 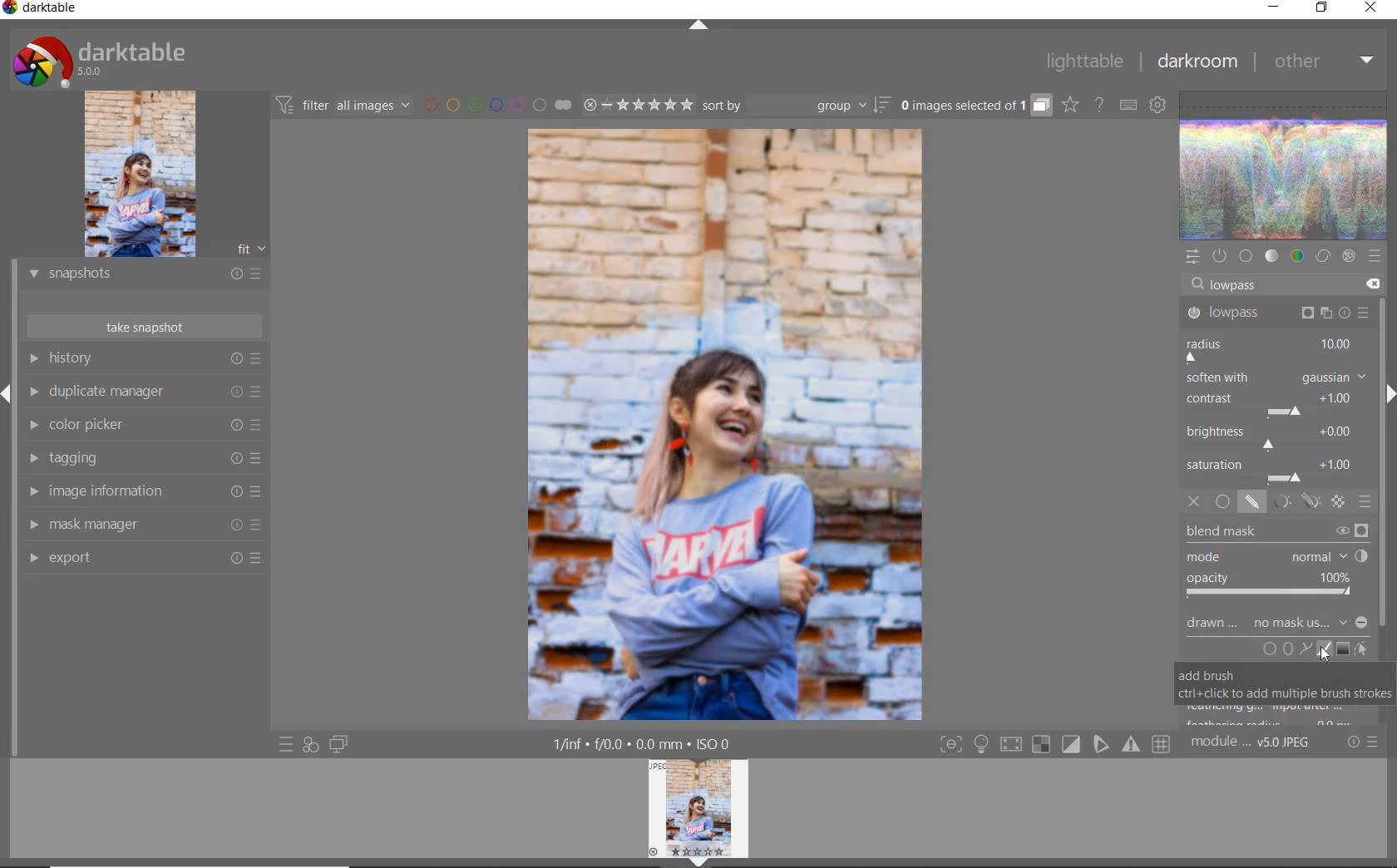 I want to click on expand/collapse, so click(x=698, y=25).